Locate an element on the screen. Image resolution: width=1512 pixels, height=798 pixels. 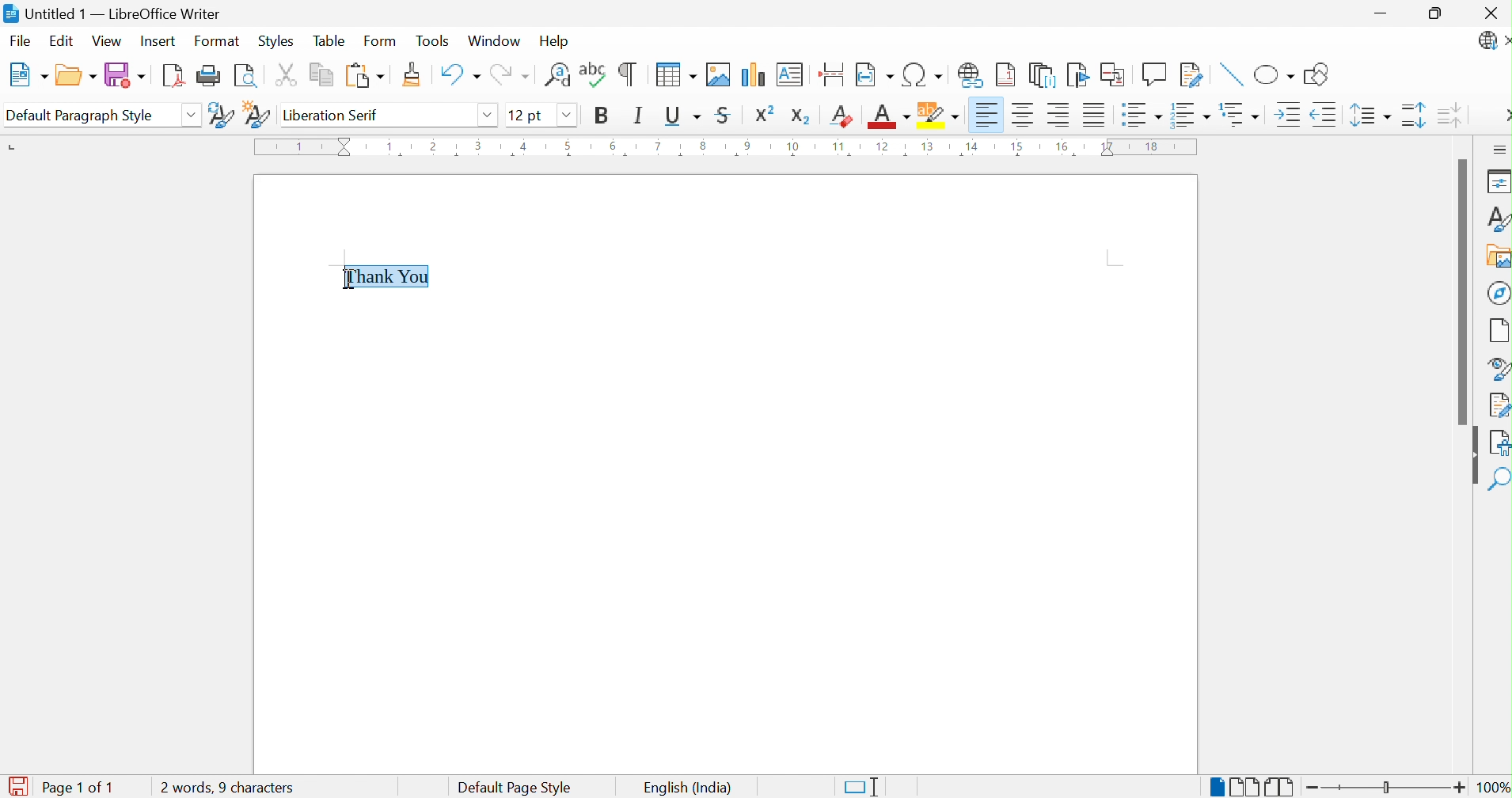
Edit is located at coordinates (63, 42).